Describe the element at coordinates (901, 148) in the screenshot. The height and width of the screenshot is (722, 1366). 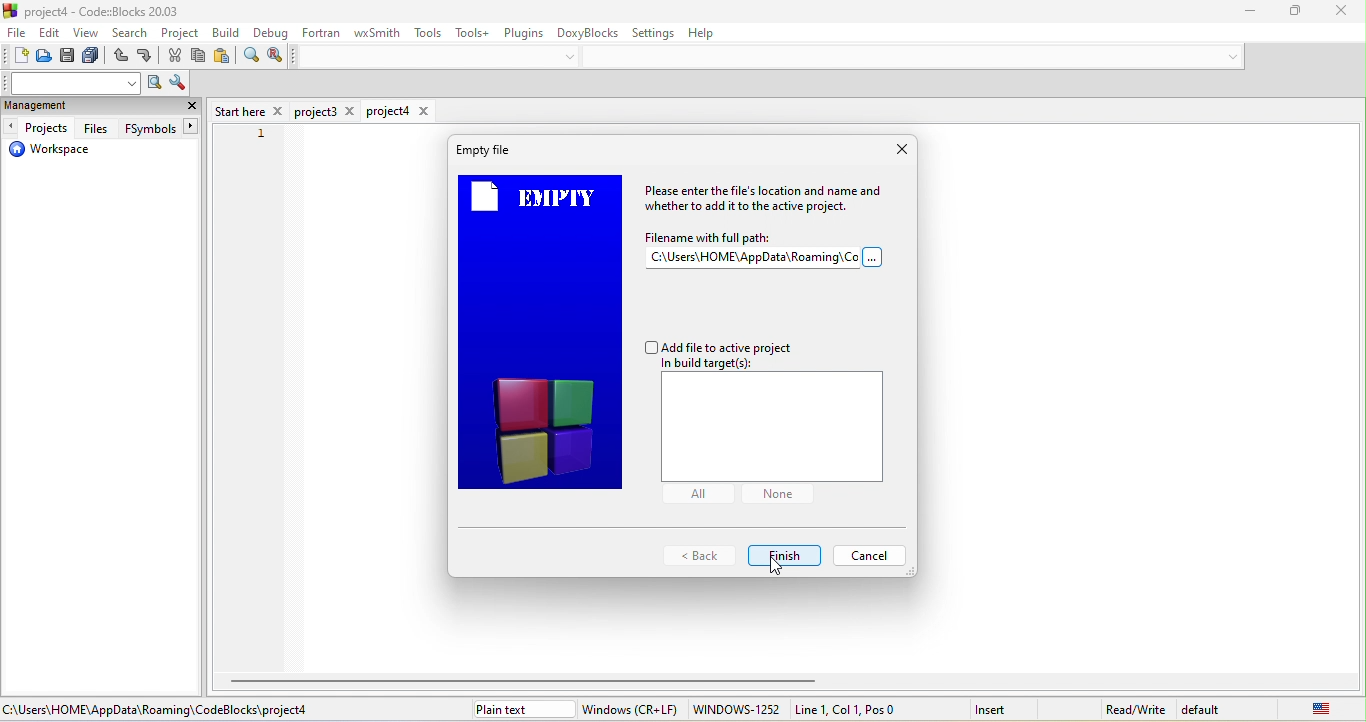
I see `Close` at that location.